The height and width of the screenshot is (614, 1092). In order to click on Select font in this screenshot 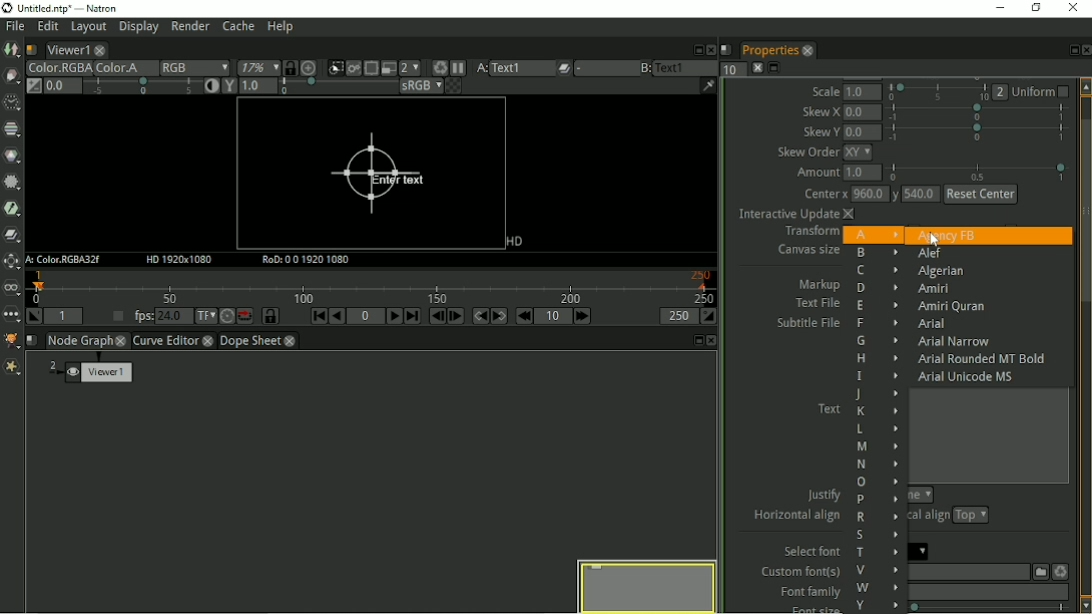, I will do `click(809, 551)`.